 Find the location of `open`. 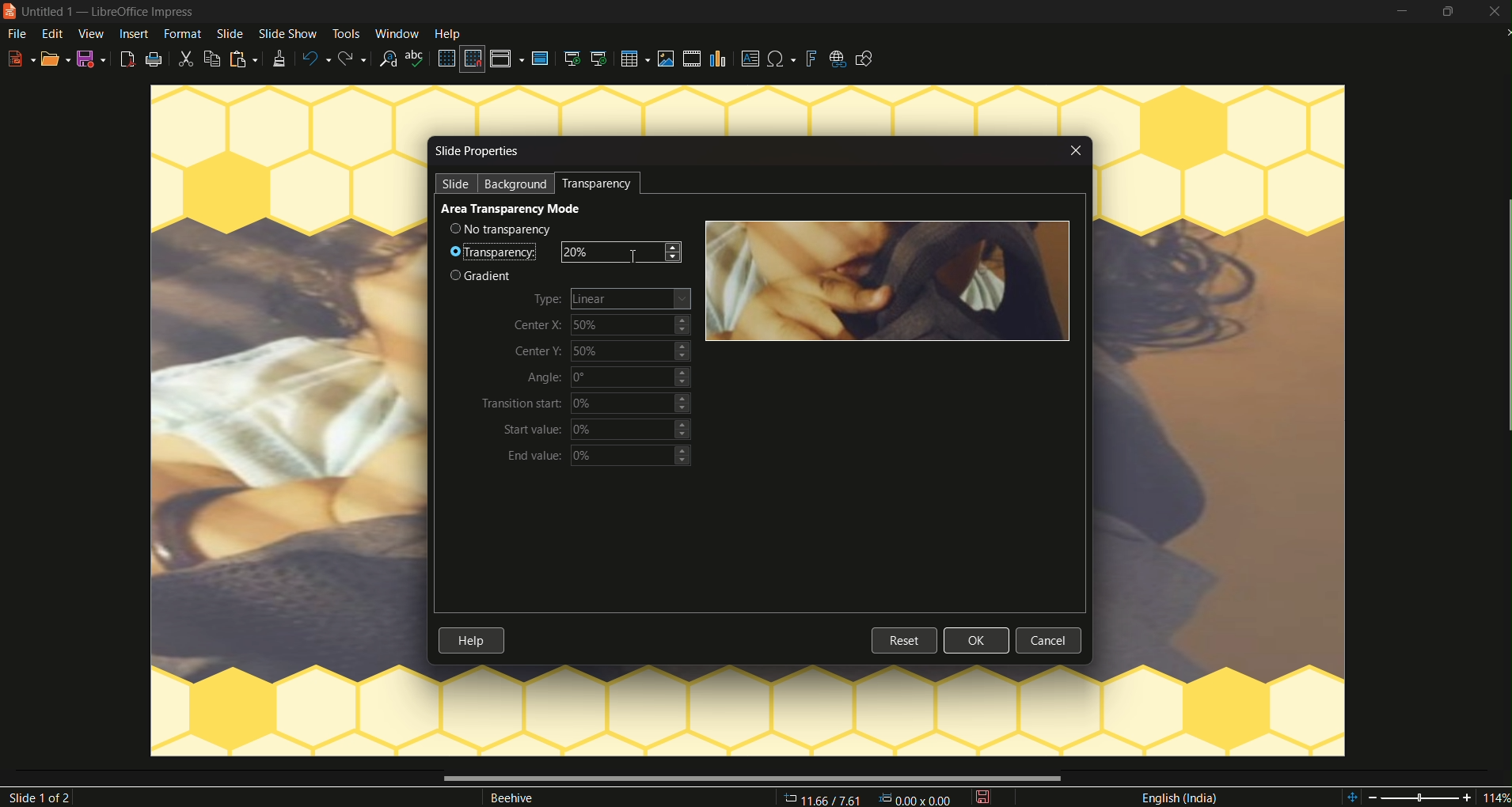

open is located at coordinates (56, 59).